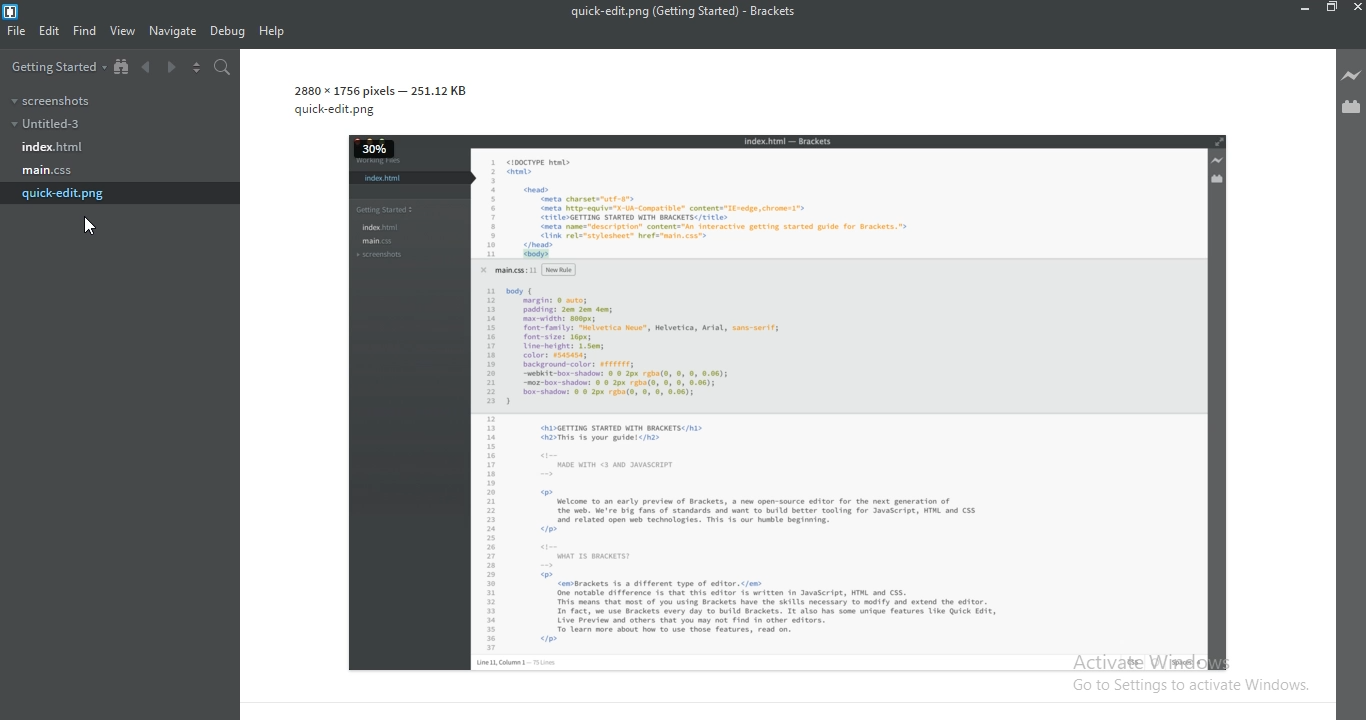  I want to click on restore, so click(1304, 9).